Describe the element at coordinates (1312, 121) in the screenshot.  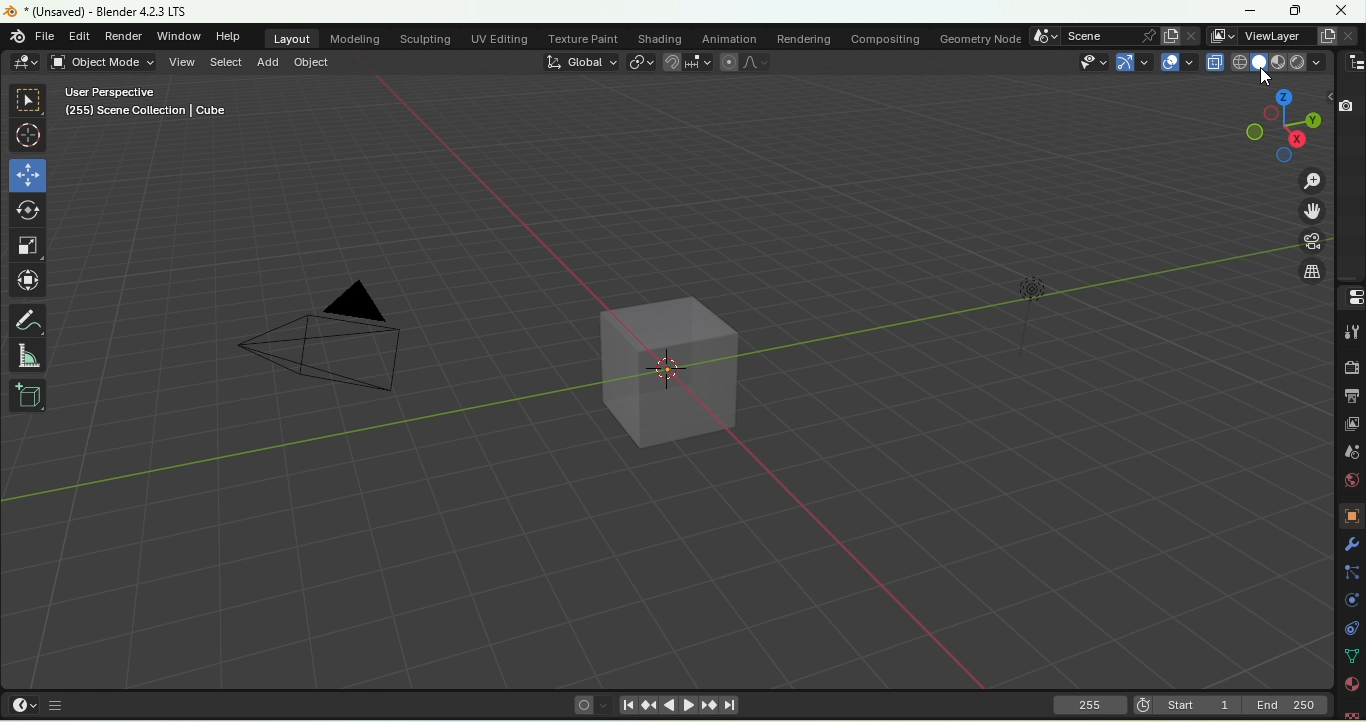
I see `Rotate the view` at that location.